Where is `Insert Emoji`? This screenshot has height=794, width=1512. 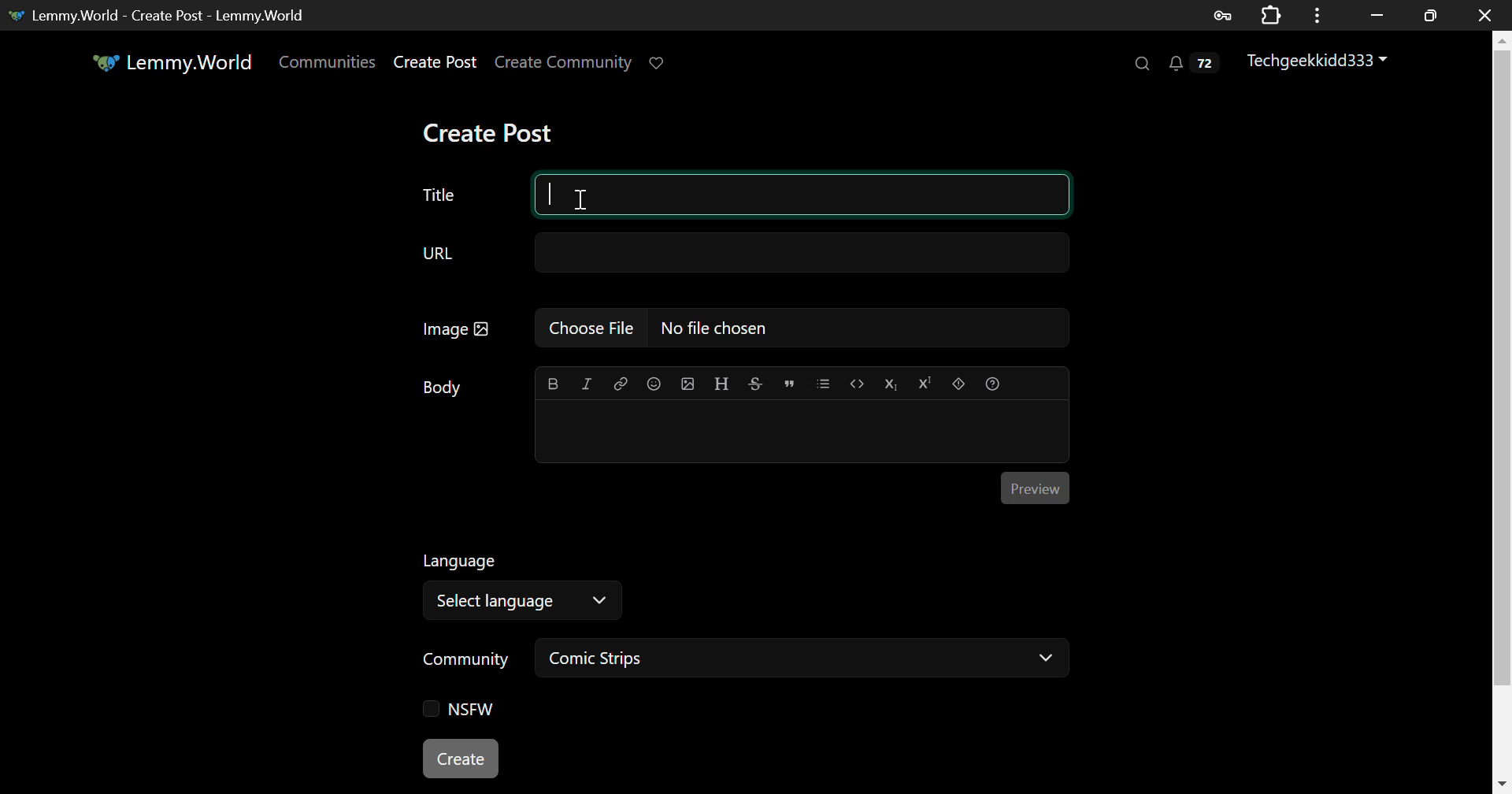 Insert Emoji is located at coordinates (653, 385).